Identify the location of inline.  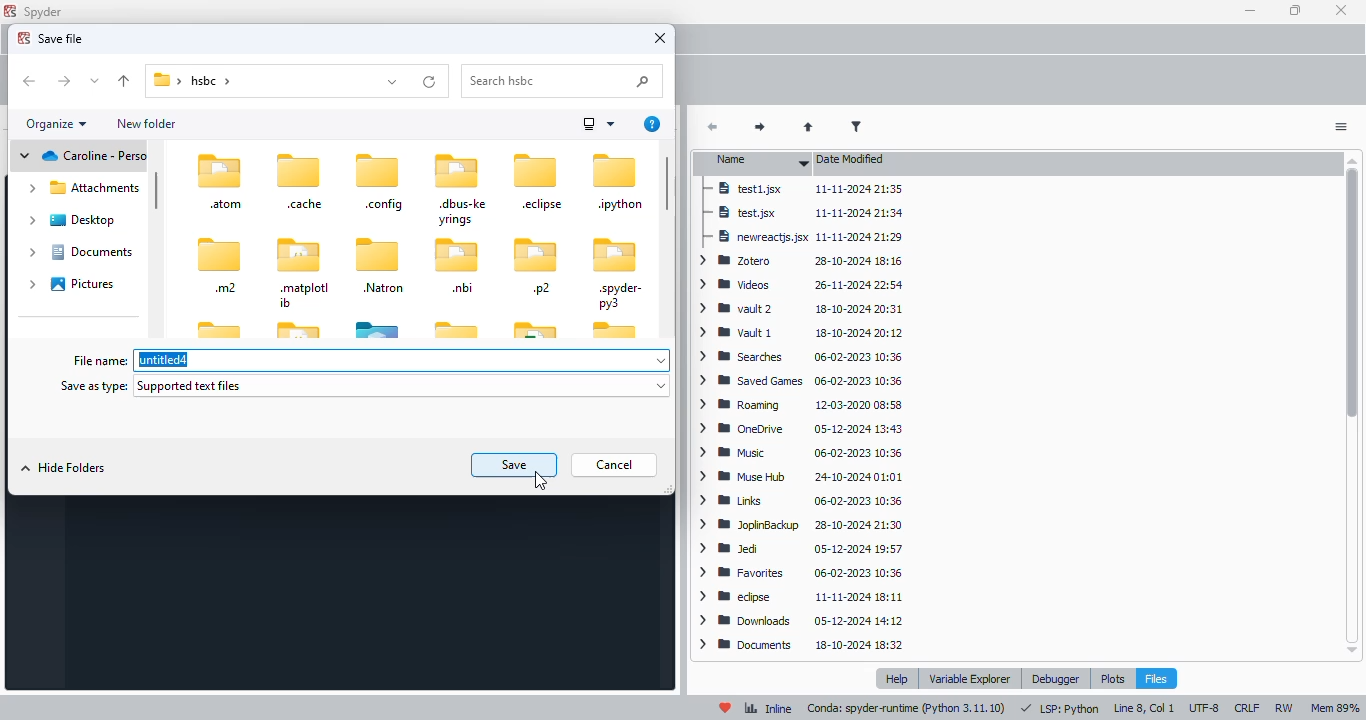
(768, 709).